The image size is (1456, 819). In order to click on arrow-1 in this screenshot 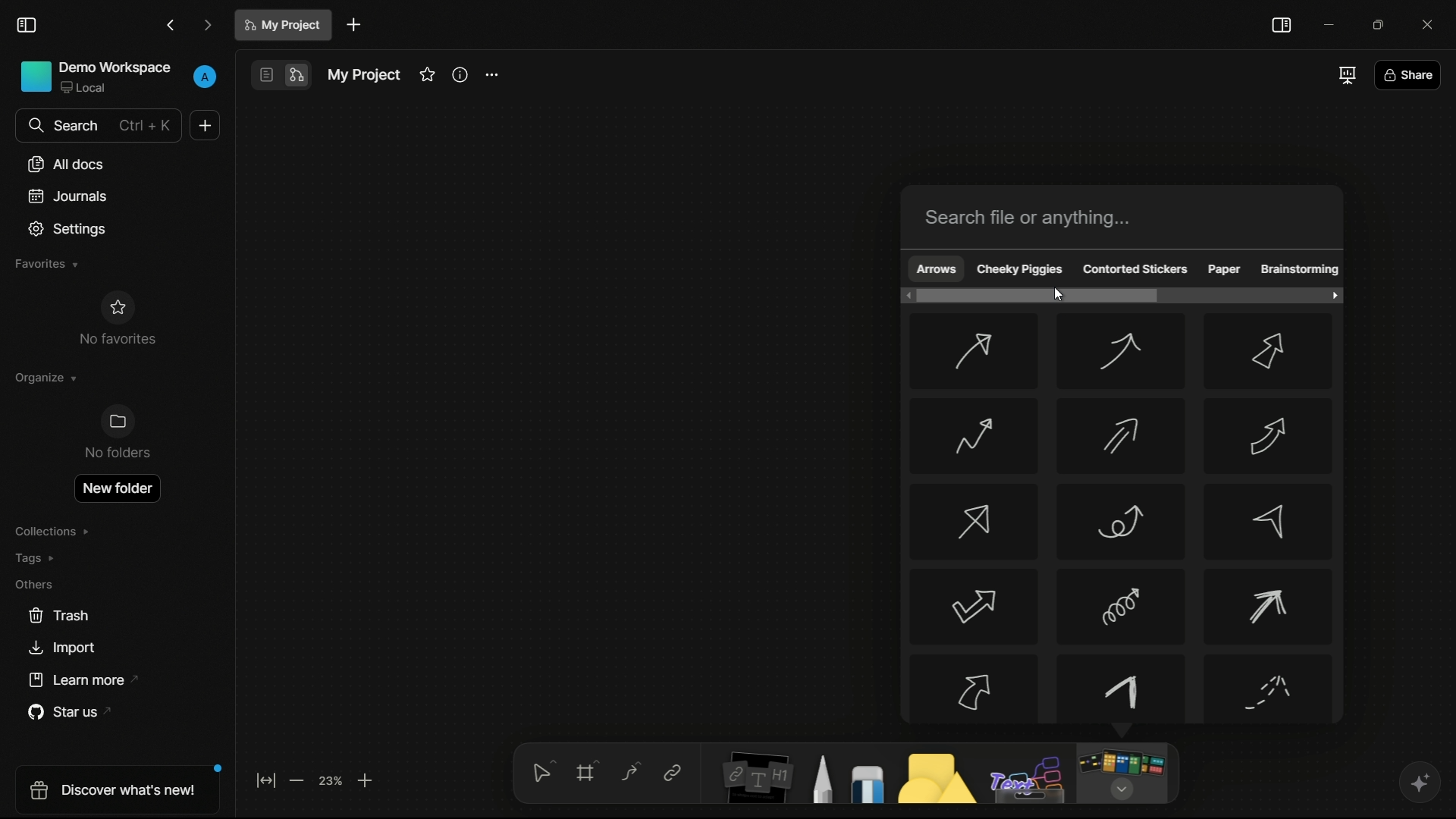, I will do `click(972, 352)`.